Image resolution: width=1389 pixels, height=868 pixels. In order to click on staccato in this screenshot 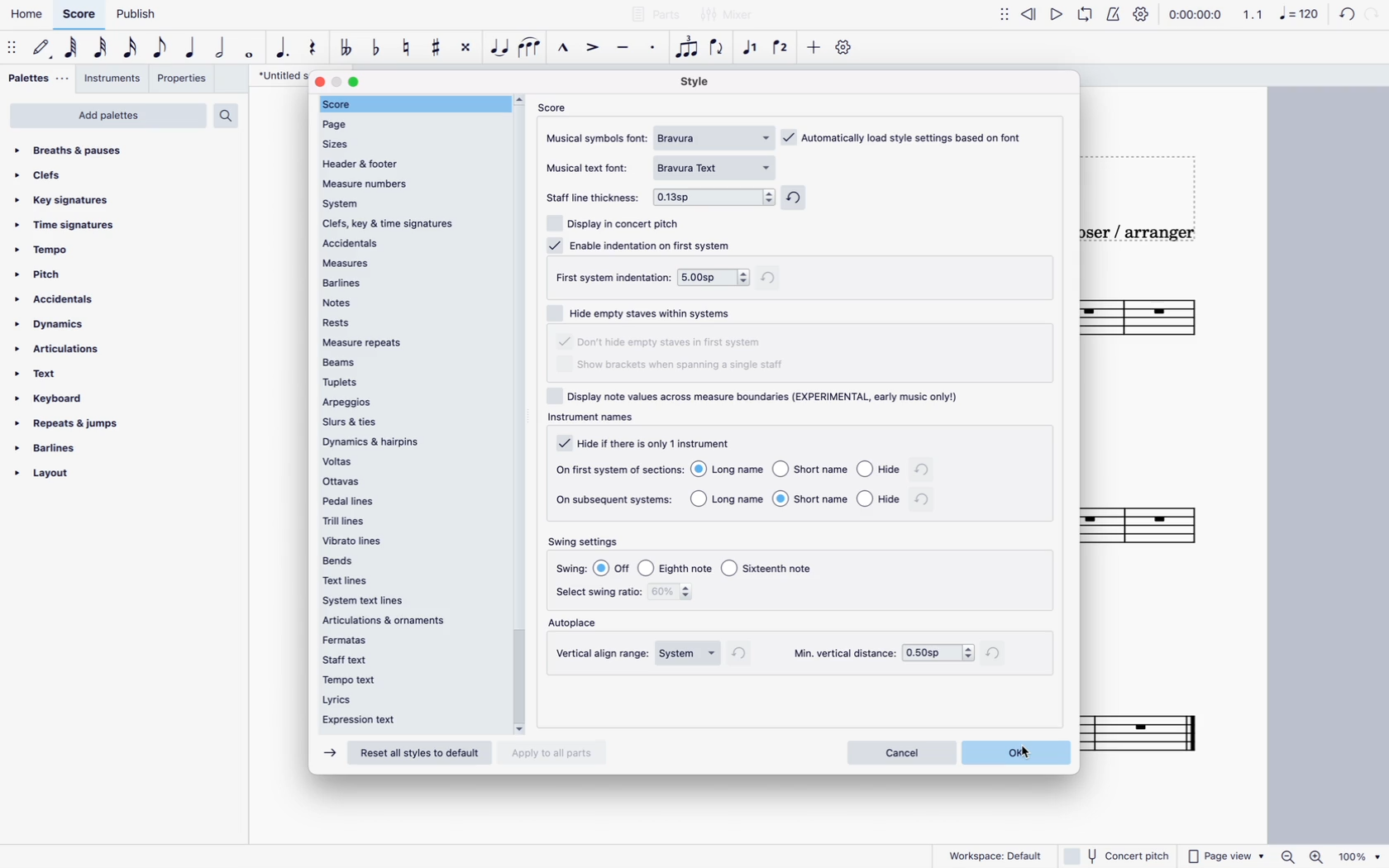, I will do `click(652, 53)`.